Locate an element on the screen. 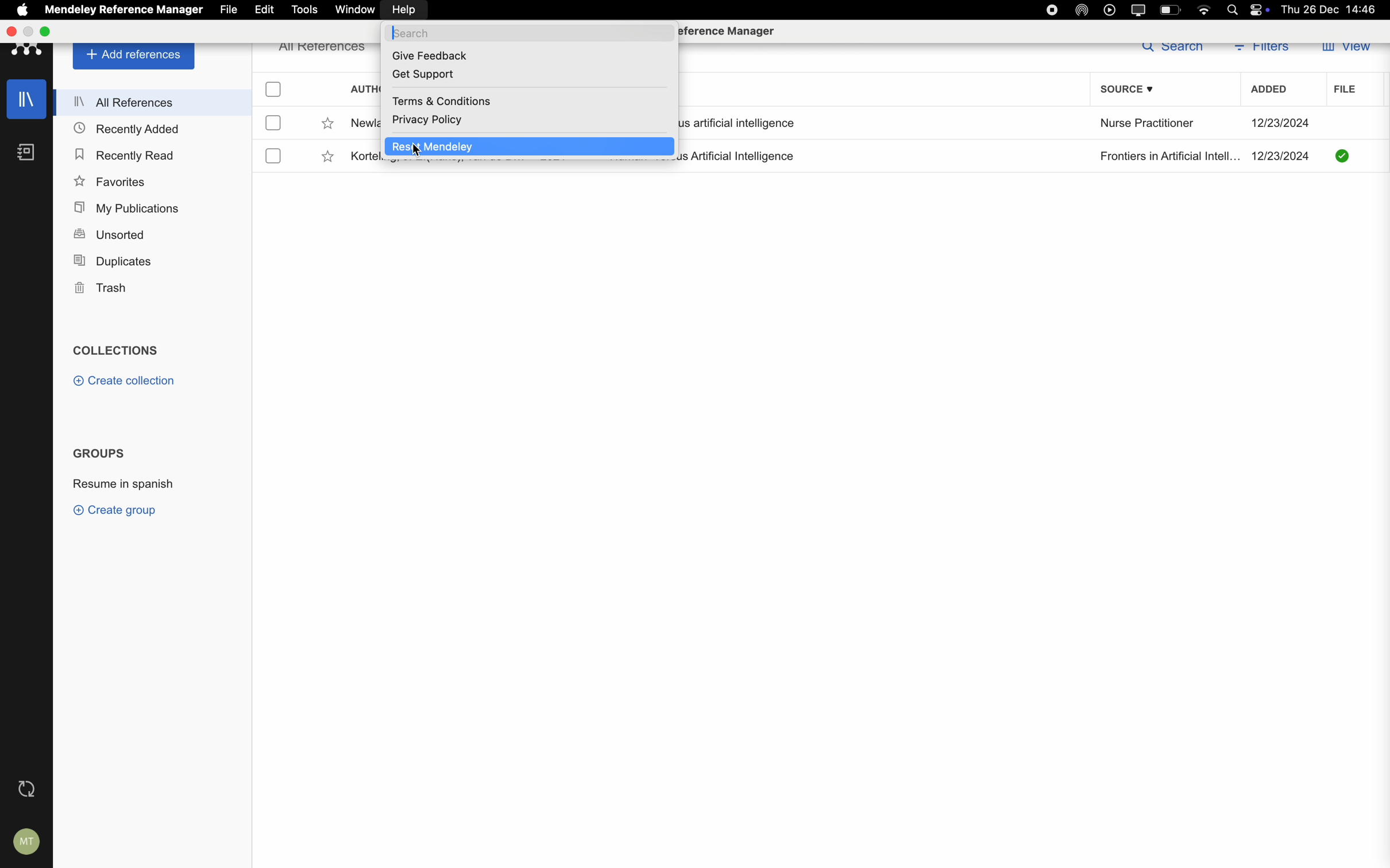  play is located at coordinates (1109, 10).